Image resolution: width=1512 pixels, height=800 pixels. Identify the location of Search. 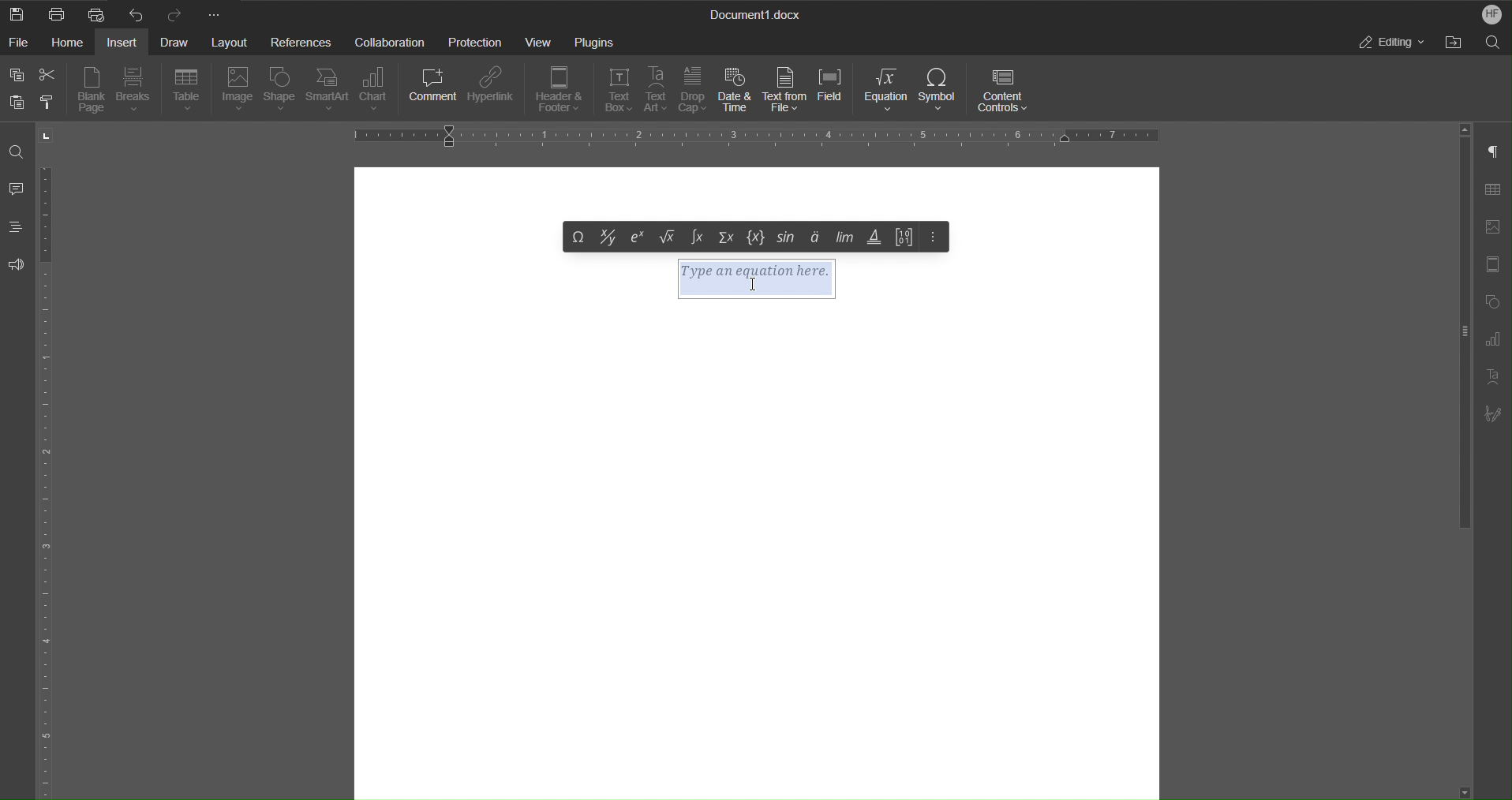
(1496, 43).